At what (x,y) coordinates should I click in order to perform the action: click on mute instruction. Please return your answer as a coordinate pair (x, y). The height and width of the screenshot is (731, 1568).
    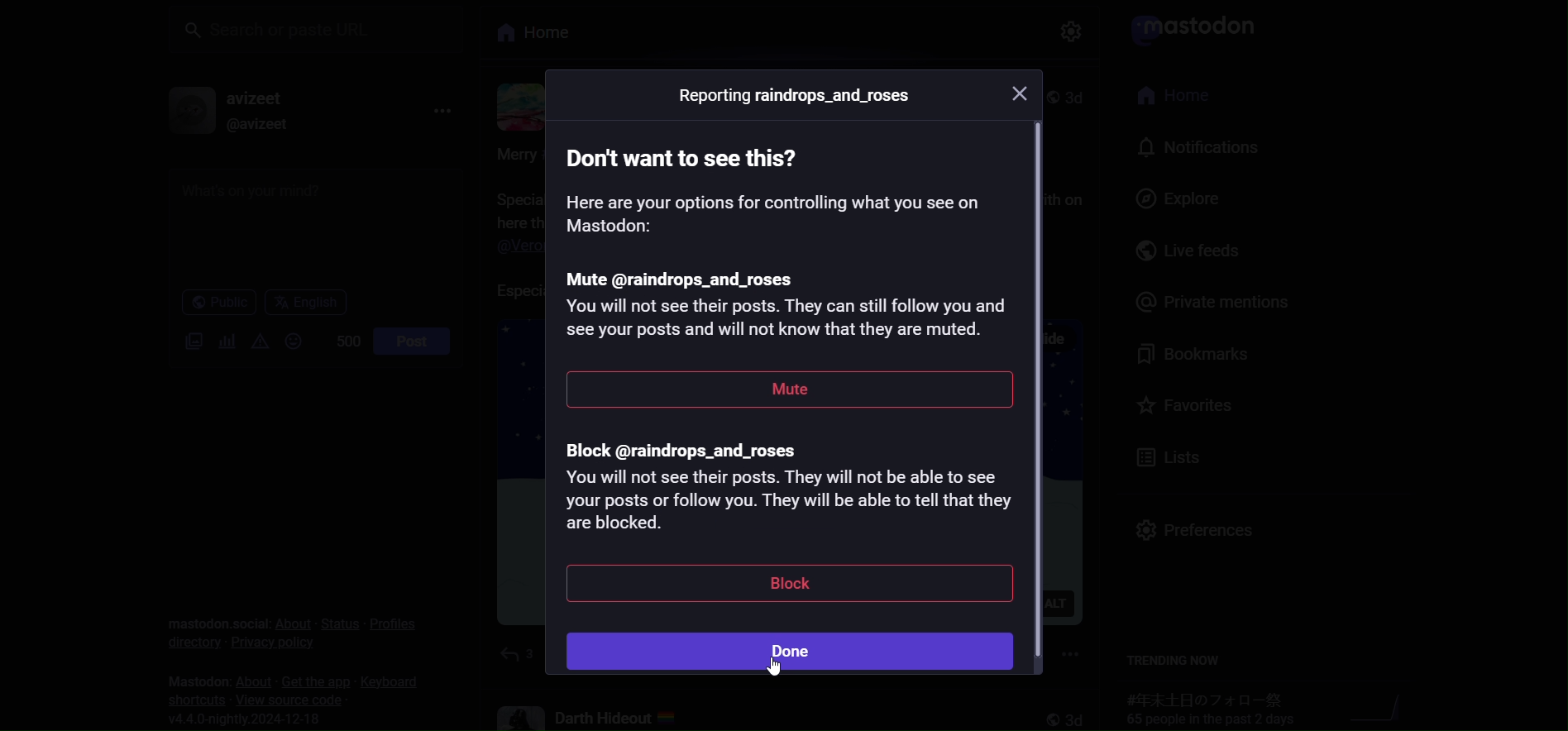
    Looking at the image, I should click on (784, 245).